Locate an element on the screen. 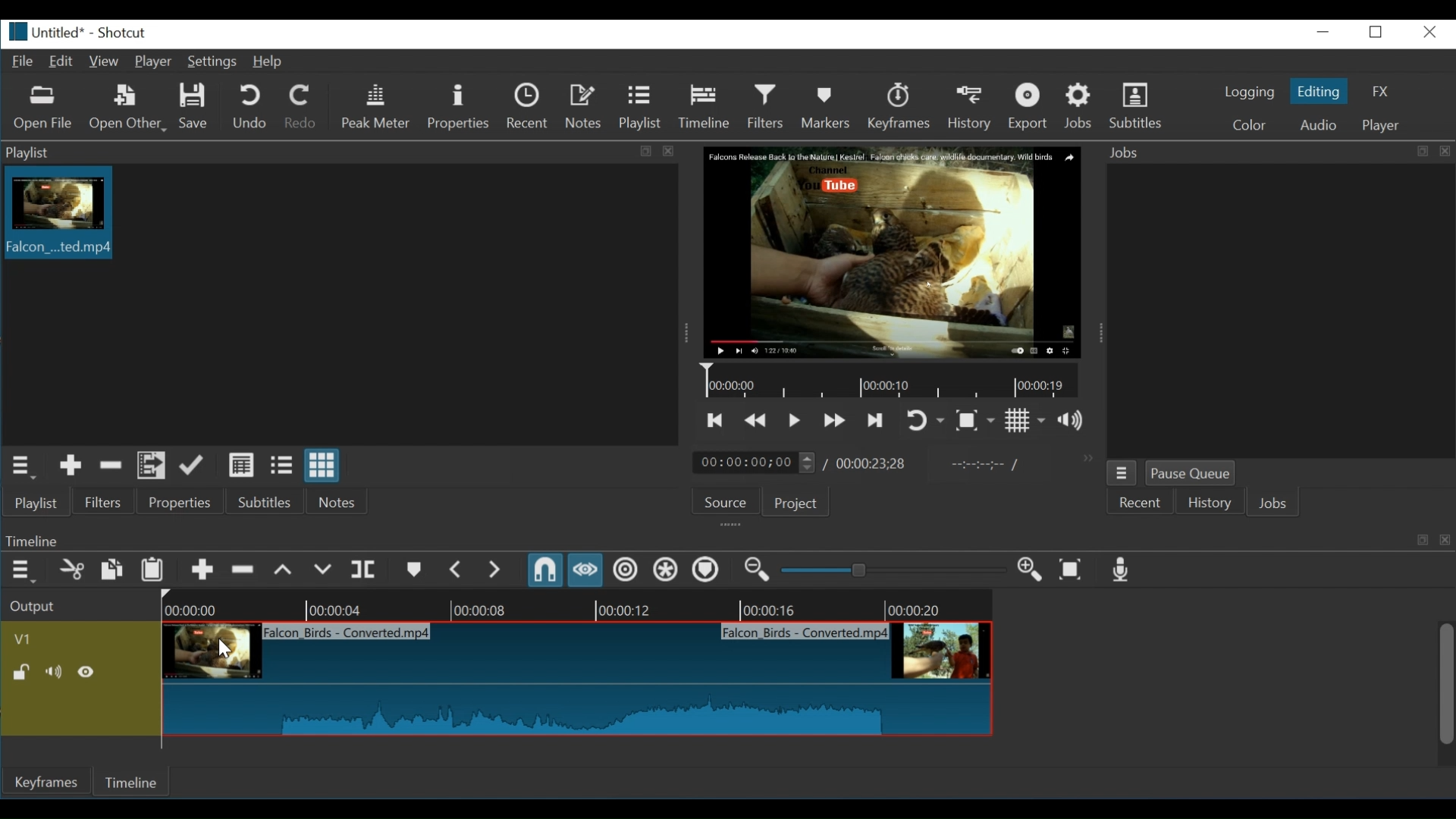  Split at playhead is located at coordinates (366, 570).